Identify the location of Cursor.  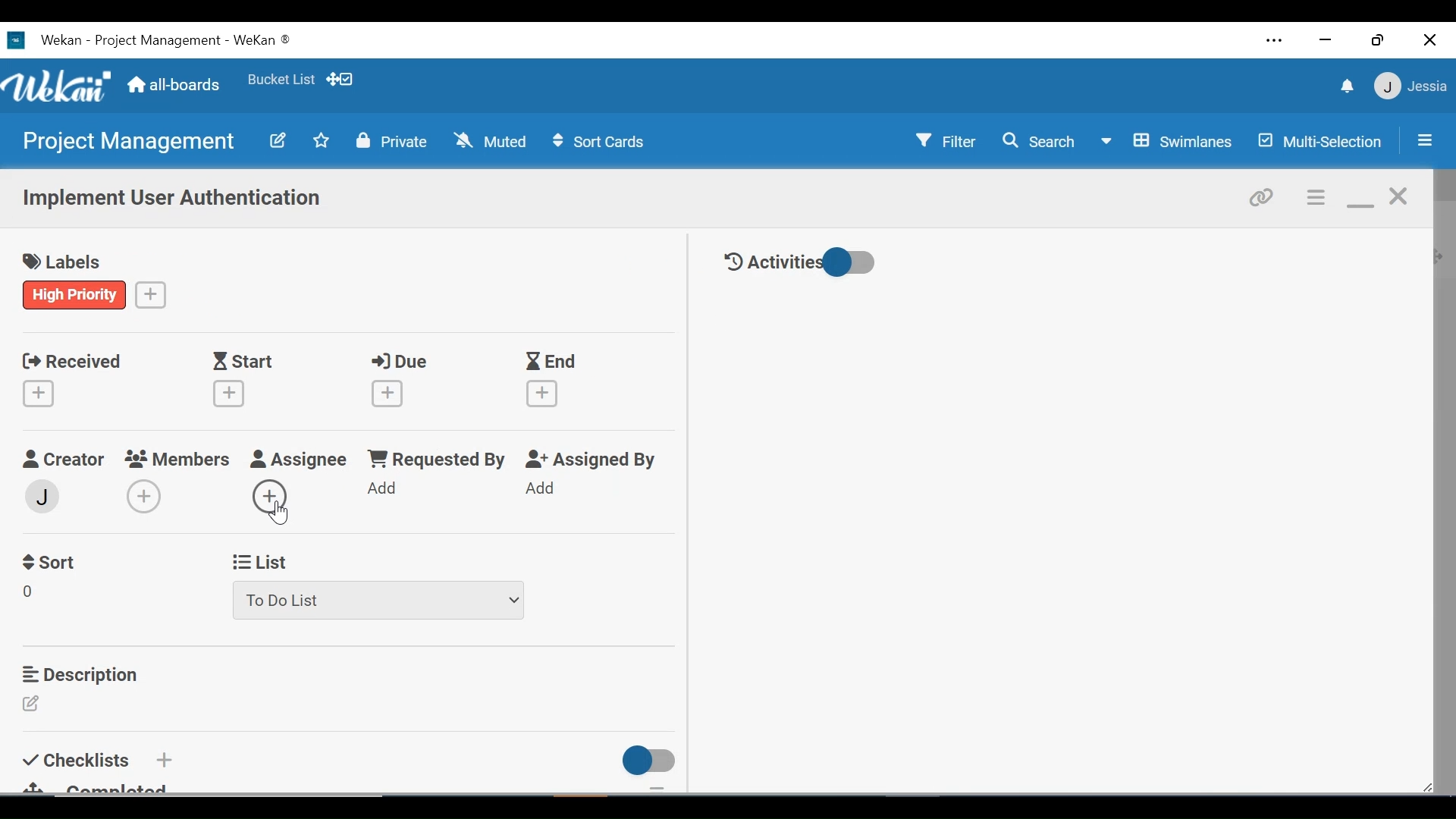
(283, 515).